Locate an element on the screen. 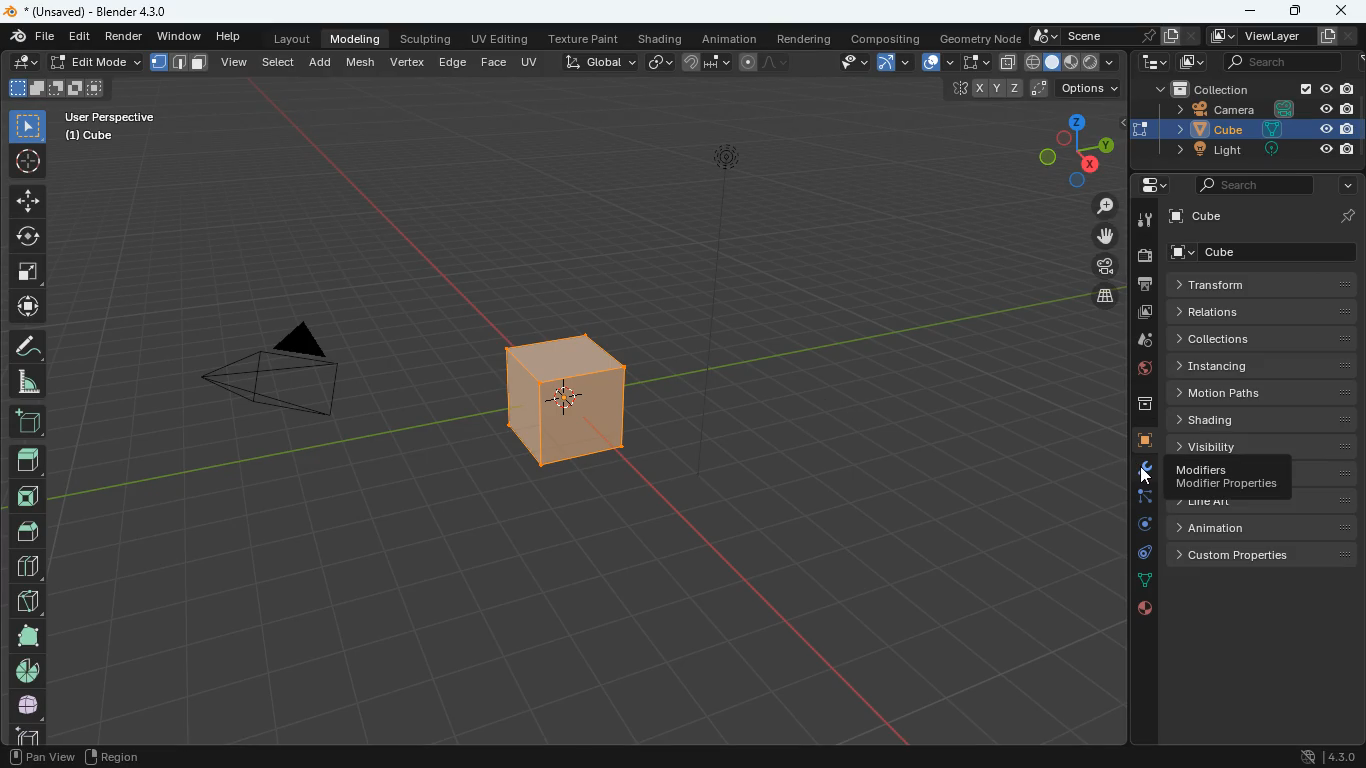  rotation is located at coordinates (1137, 526).